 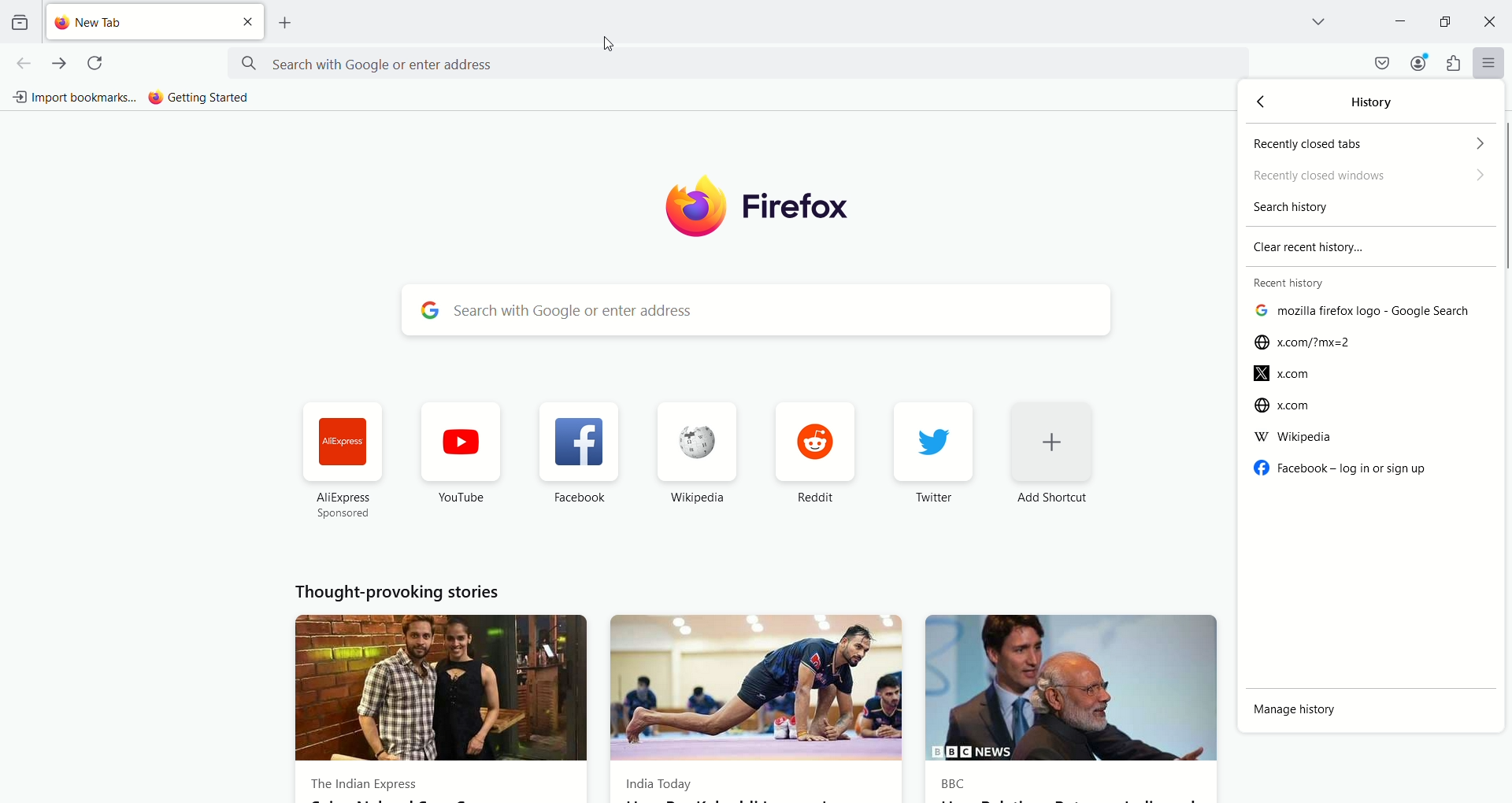 What do you see at coordinates (1488, 63) in the screenshot?
I see `open application menu` at bounding box center [1488, 63].